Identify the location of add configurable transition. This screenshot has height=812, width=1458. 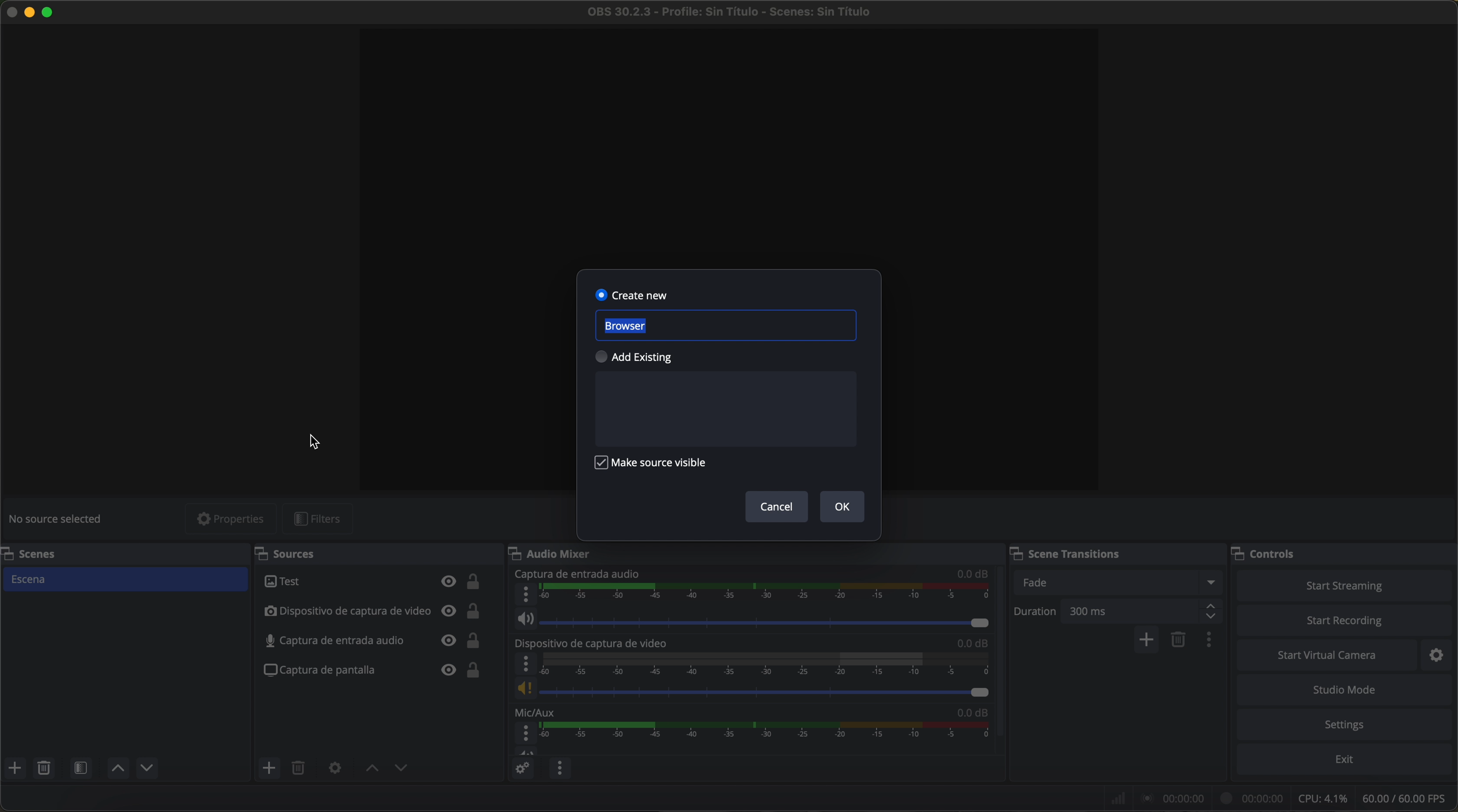
(1147, 641).